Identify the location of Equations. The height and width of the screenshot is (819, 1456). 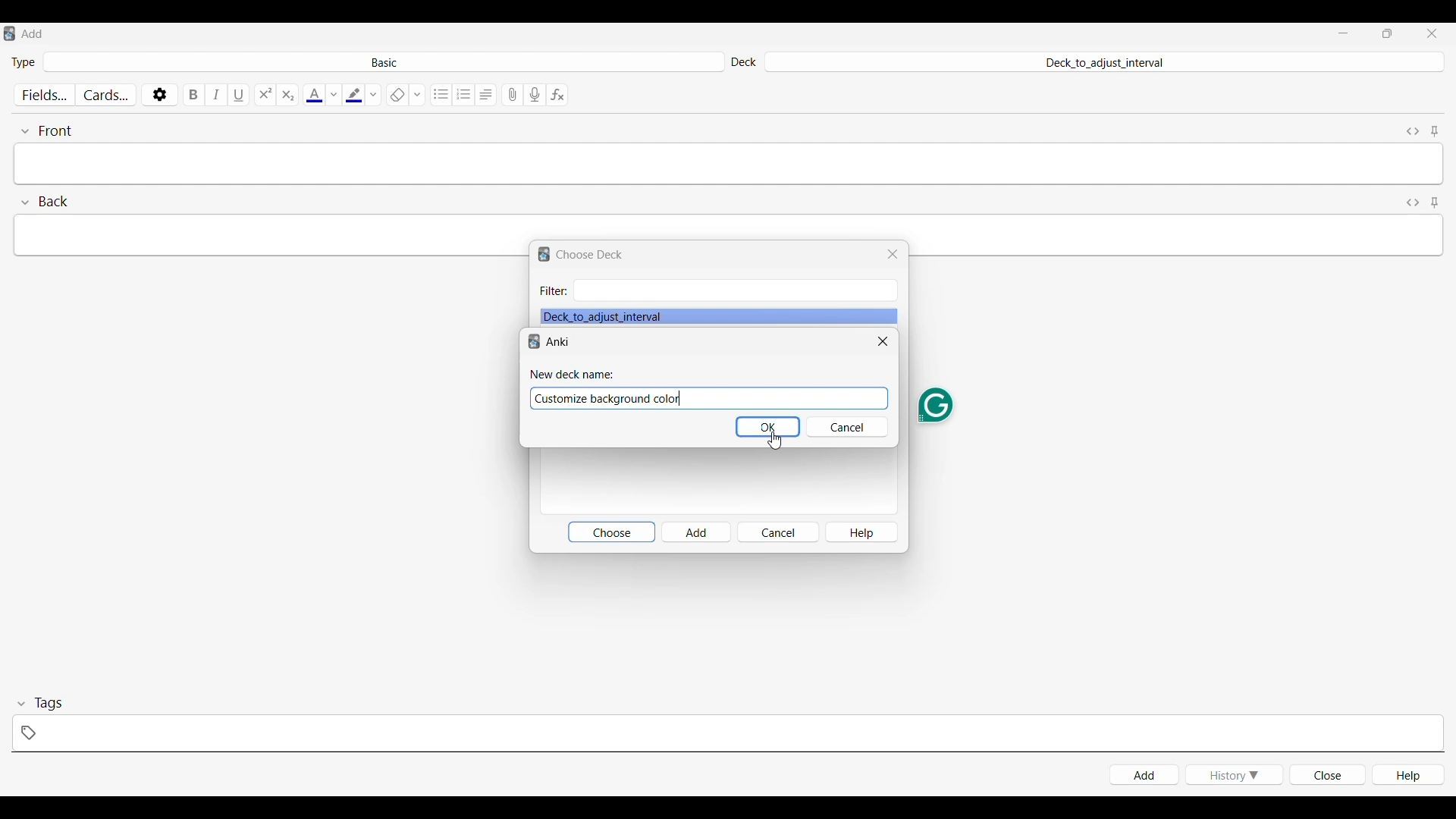
(557, 95).